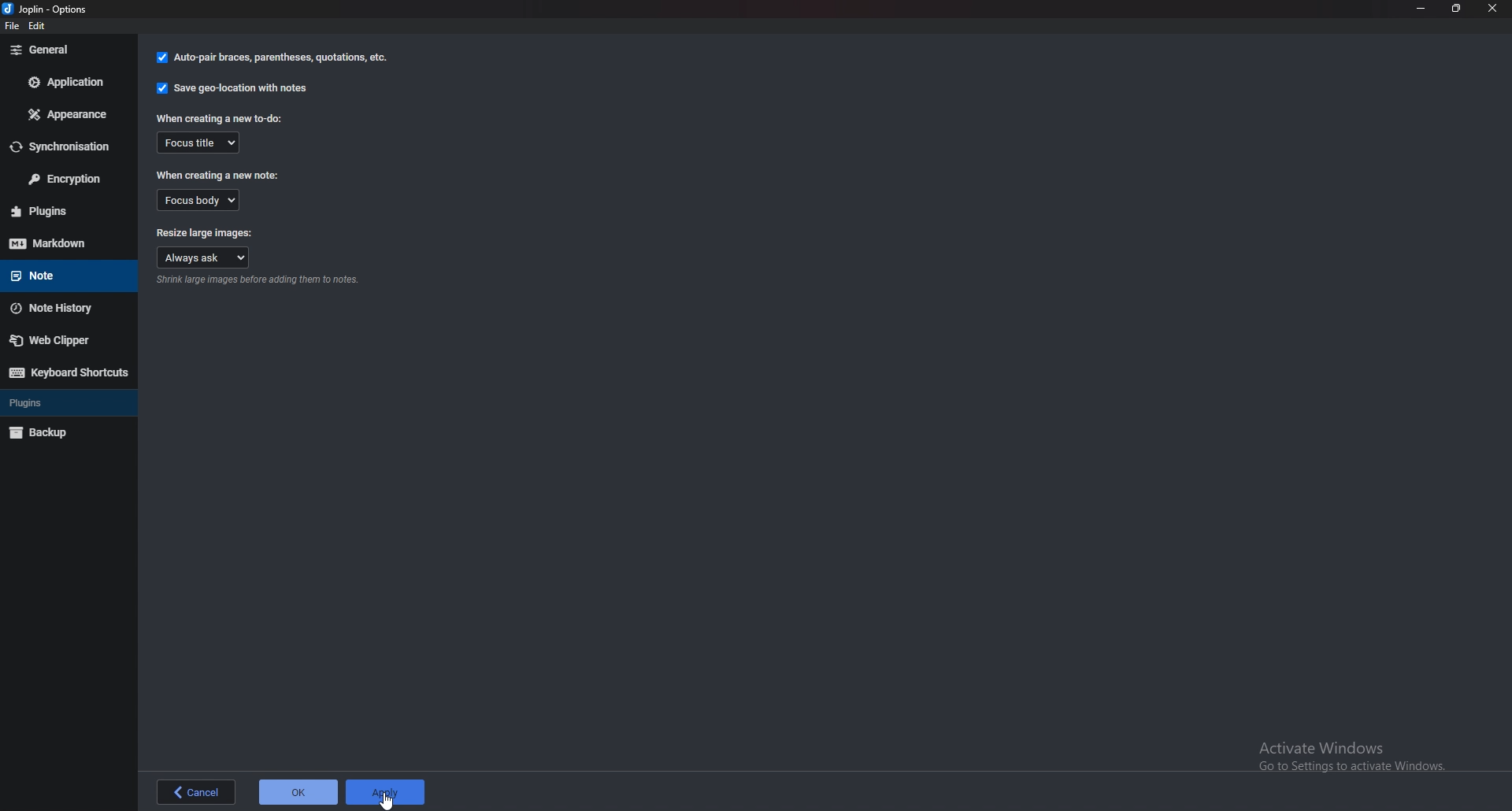 This screenshot has width=1512, height=811. What do you see at coordinates (14, 26) in the screenshot?
I see `file` at bounding box center [14, 26].